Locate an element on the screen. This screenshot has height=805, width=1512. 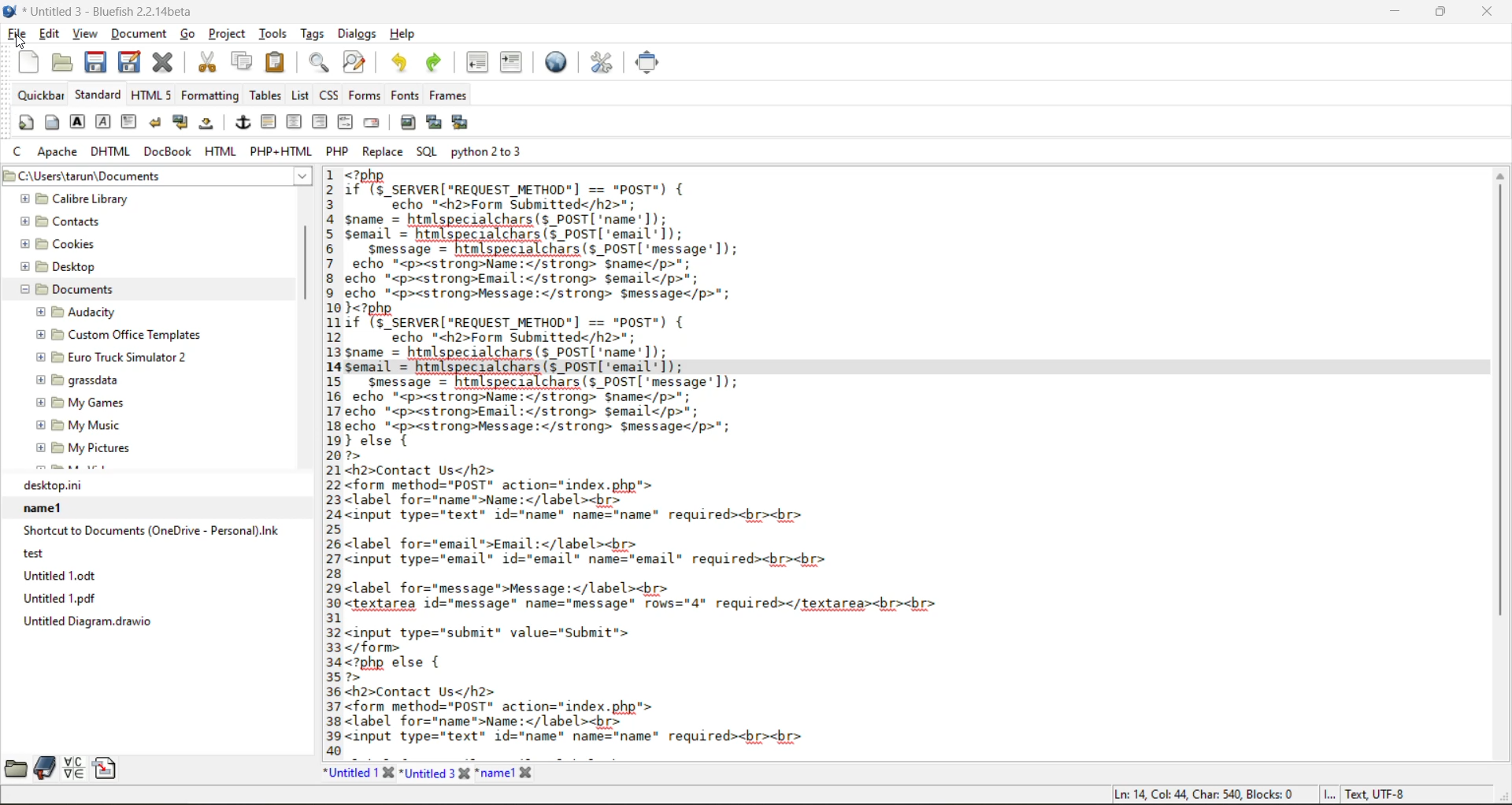
html 5 is located at coordinates (152, 95).